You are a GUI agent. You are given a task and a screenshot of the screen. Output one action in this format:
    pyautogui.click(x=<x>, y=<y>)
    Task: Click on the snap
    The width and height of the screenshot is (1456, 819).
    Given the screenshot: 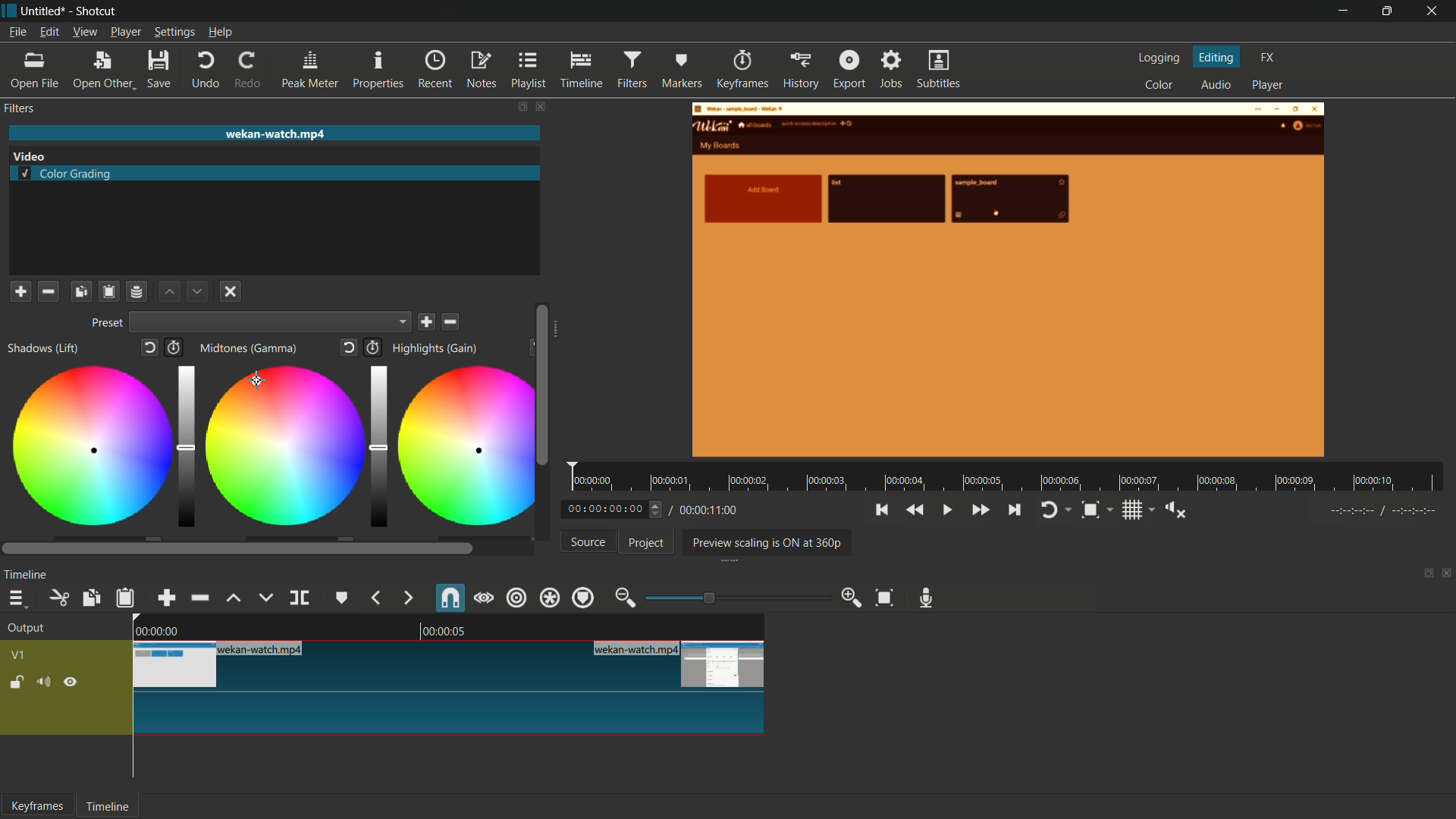 What is the action you would take?
    pyautogui.click(x=449, y=598)
    